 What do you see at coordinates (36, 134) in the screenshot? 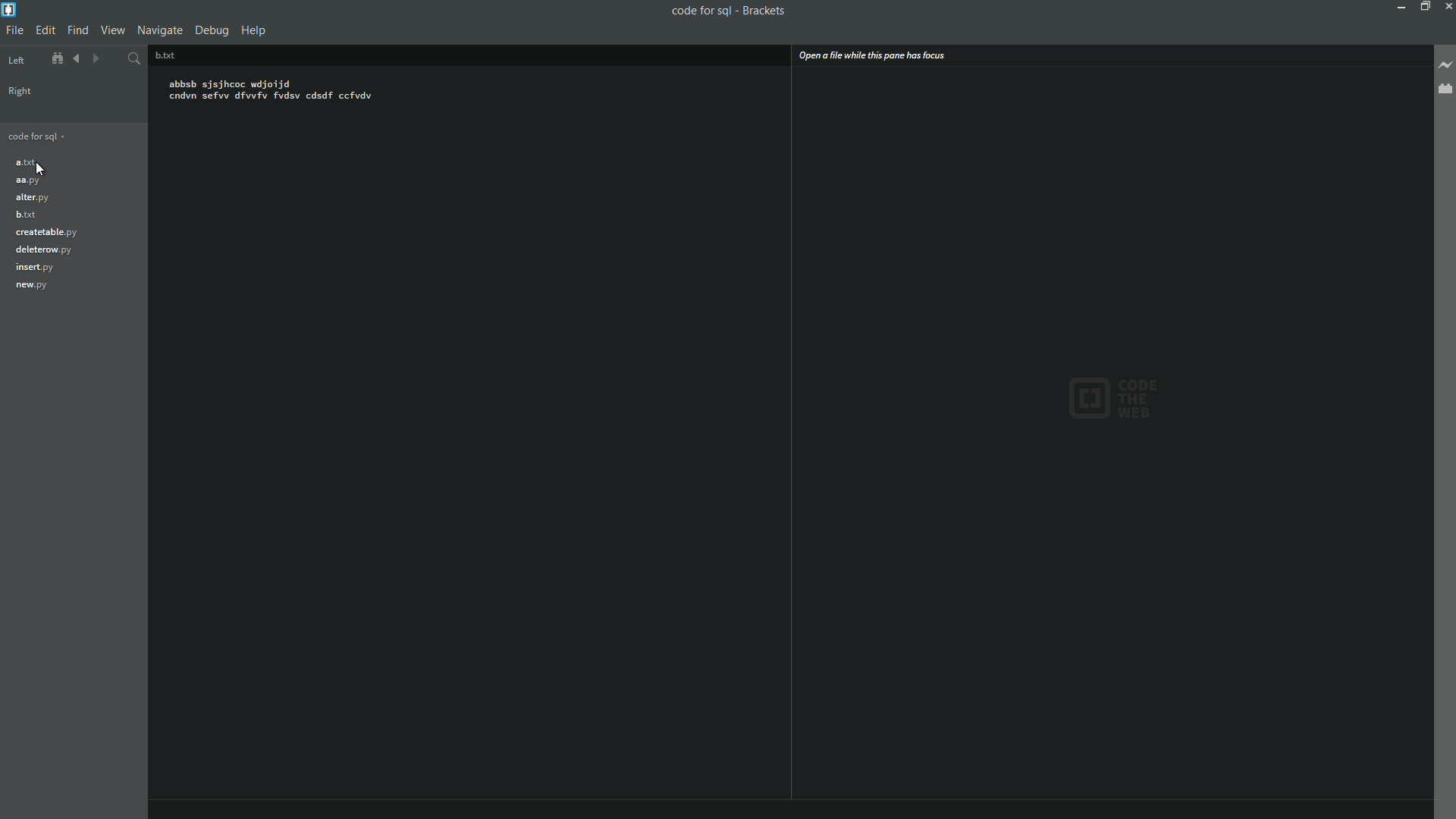
I see `code for sql` at bounding box center [36, 134].